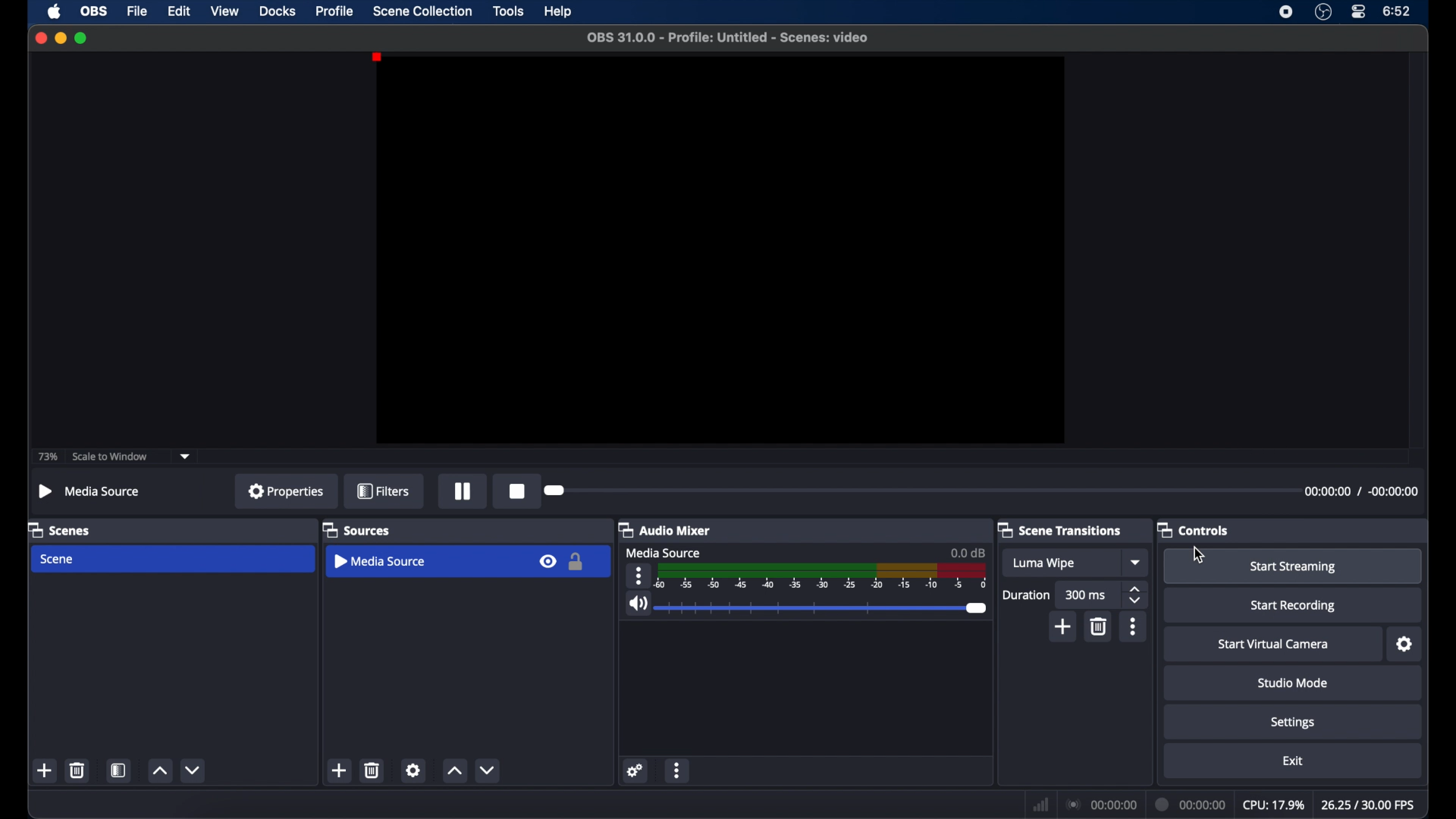 Image resolution: width=1456 pixels, height=819 pixels. Describe the element at coordinates (1045, 564) in the screenshot. I see `luma wipe` at that location.